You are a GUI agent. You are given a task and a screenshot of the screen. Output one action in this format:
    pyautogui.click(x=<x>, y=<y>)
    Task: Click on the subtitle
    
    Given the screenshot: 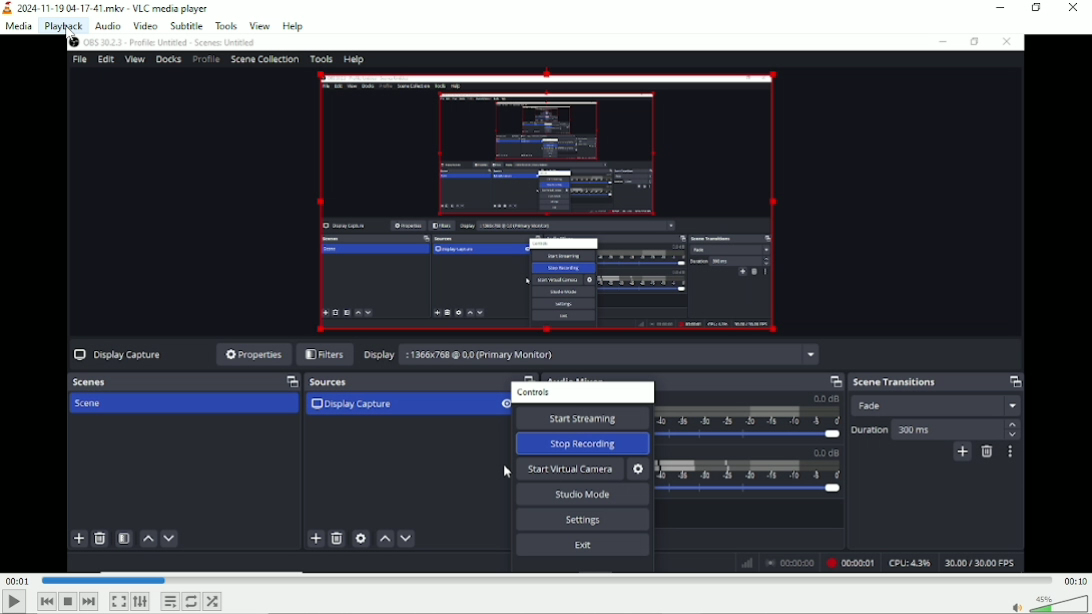 What is the action you would take?
    pyautogui.click(x=185, y=24)
    